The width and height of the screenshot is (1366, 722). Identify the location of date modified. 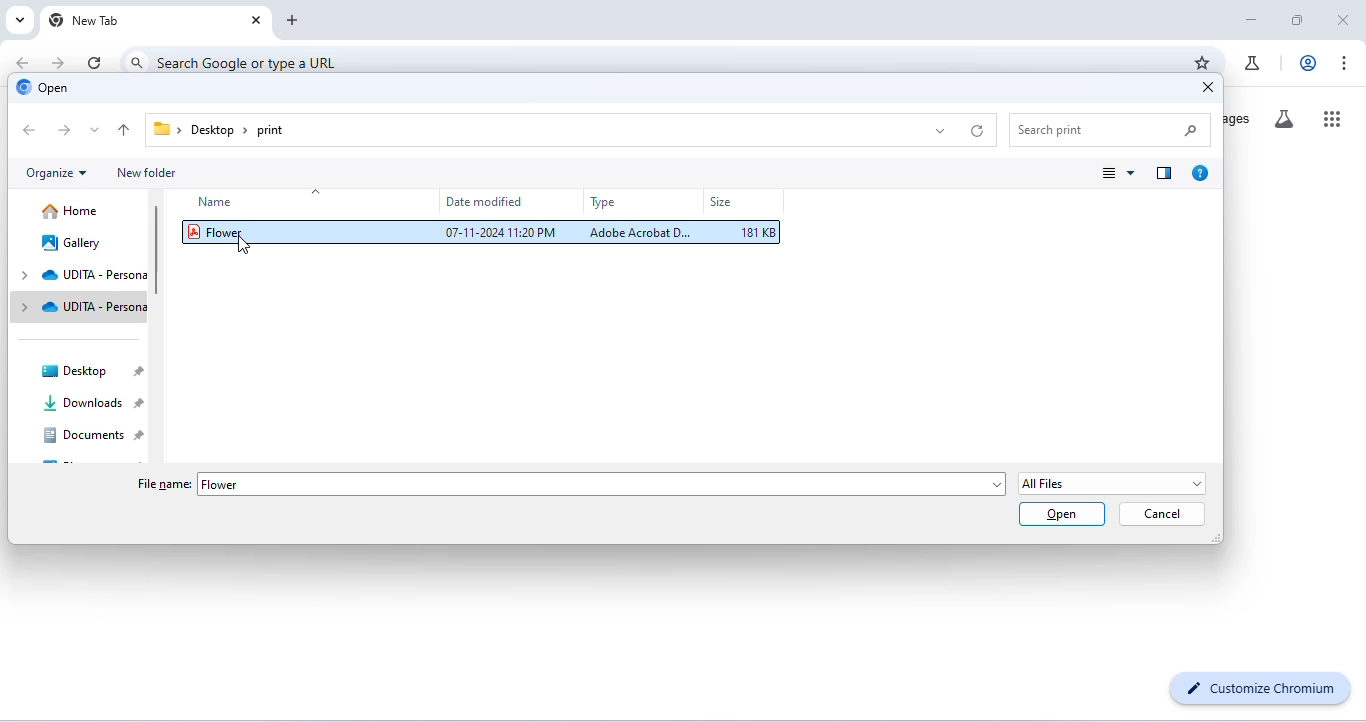
(484, 202).